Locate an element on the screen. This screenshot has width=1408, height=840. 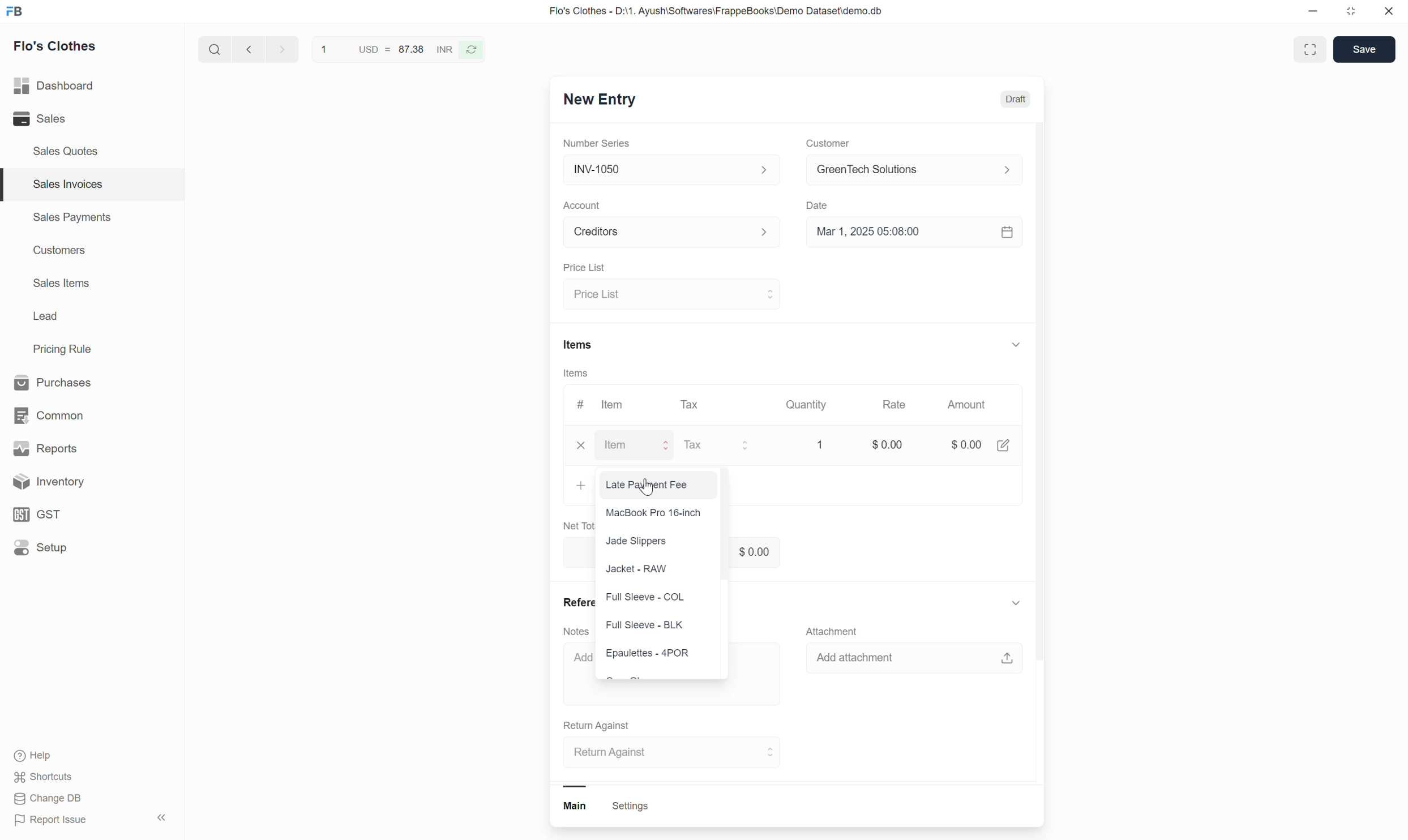
USD = 87.38 INR is located at coordinates (400, 53).